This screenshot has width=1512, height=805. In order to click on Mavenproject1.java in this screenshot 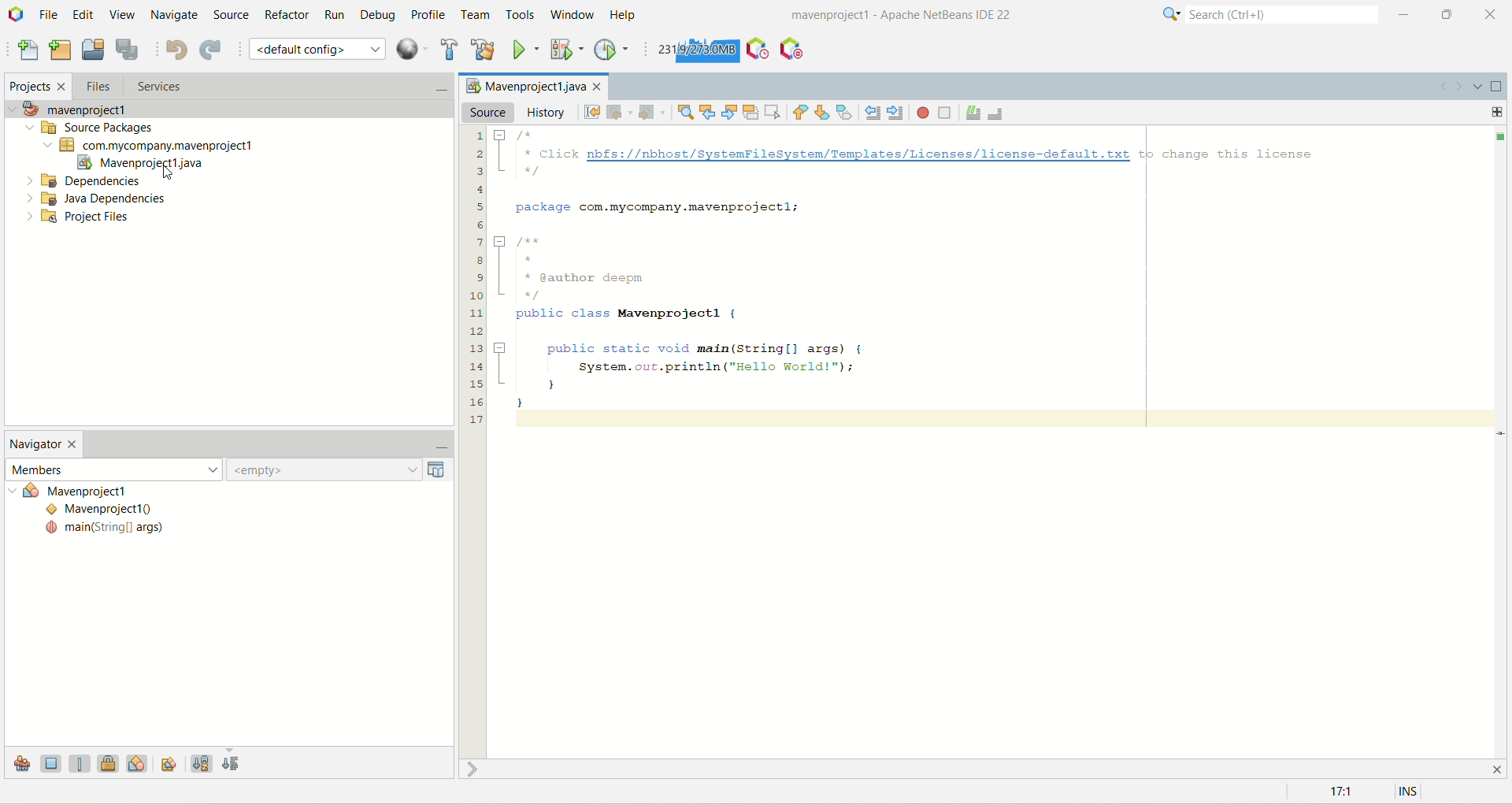, I will do `click(531, 85)`.